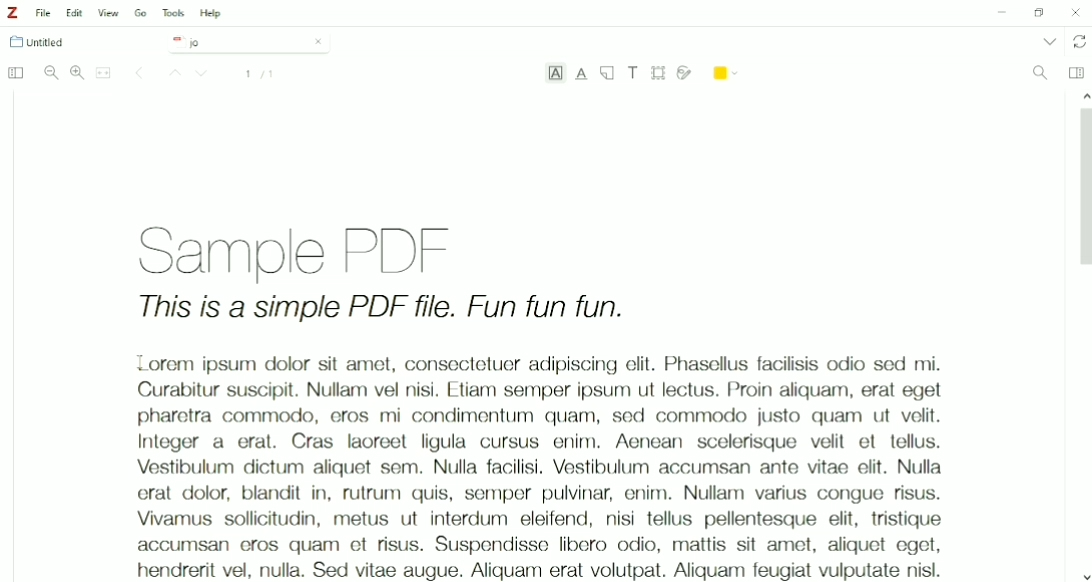 This screenshot has width=1092, height=582. Describe the element at coordinates (1040, 74) in the screenshot. I see `Find In Document` at that location.